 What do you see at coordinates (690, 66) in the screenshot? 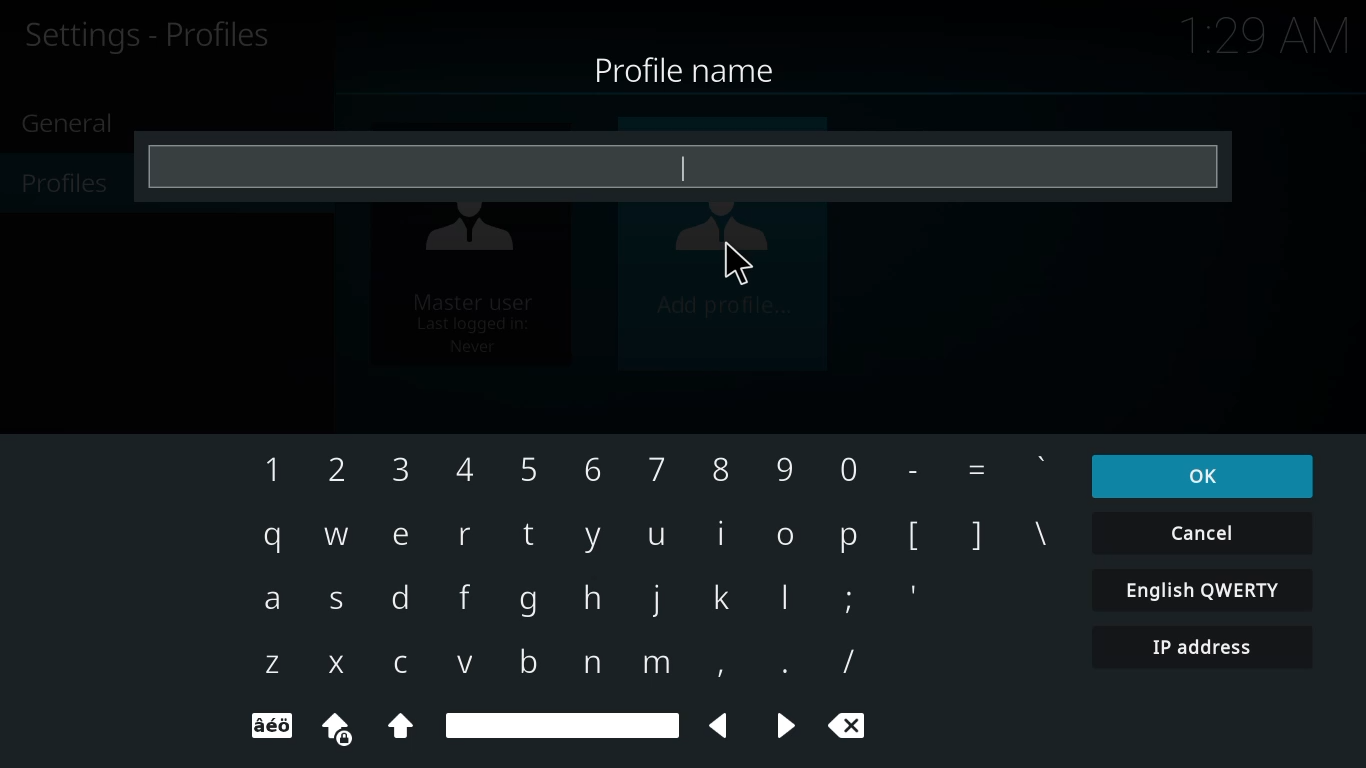
I see `profile name` at bounding box center [690, 66].